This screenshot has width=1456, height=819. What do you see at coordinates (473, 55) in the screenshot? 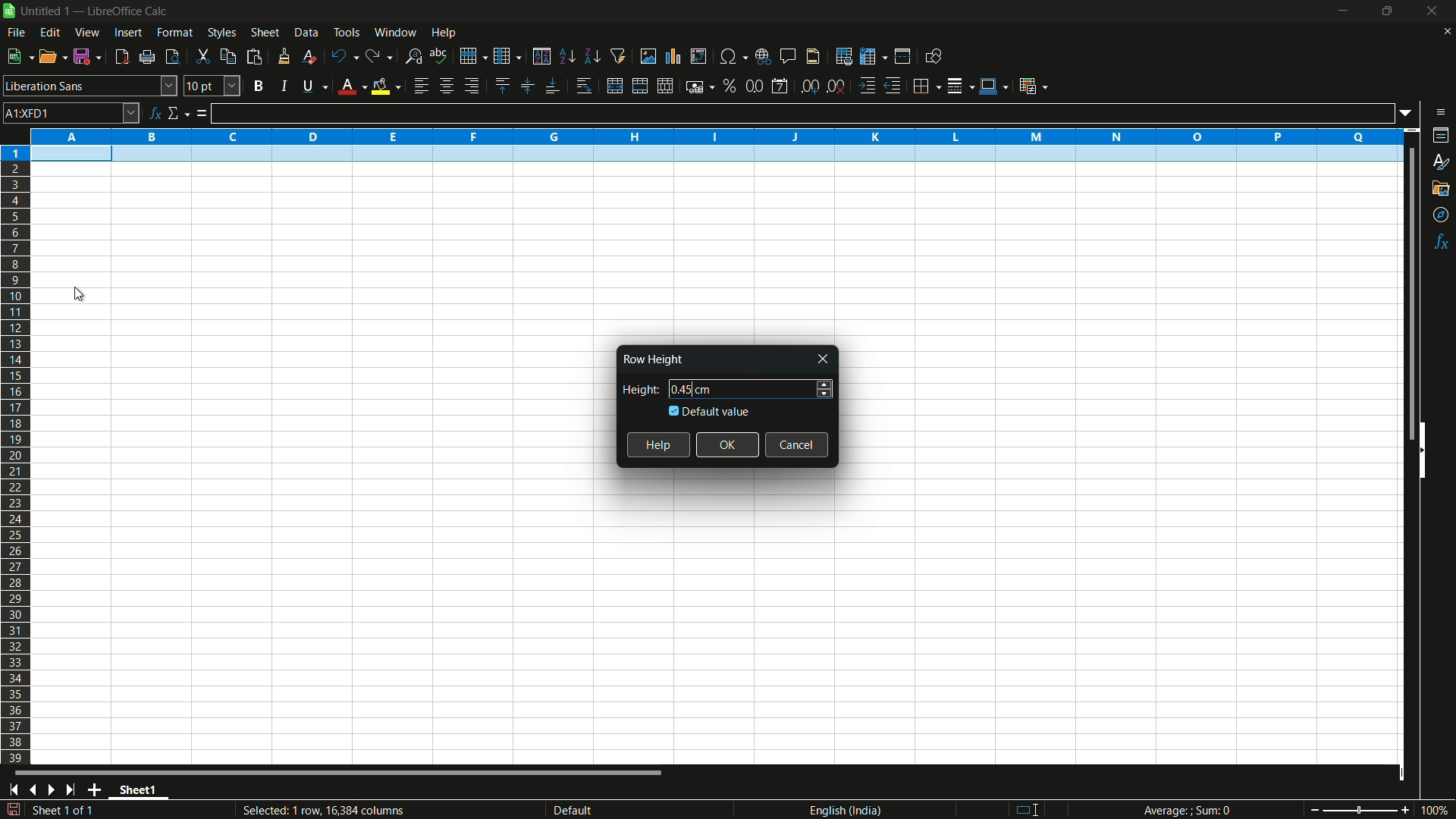
I see `row` at bounding box center [473, 55].